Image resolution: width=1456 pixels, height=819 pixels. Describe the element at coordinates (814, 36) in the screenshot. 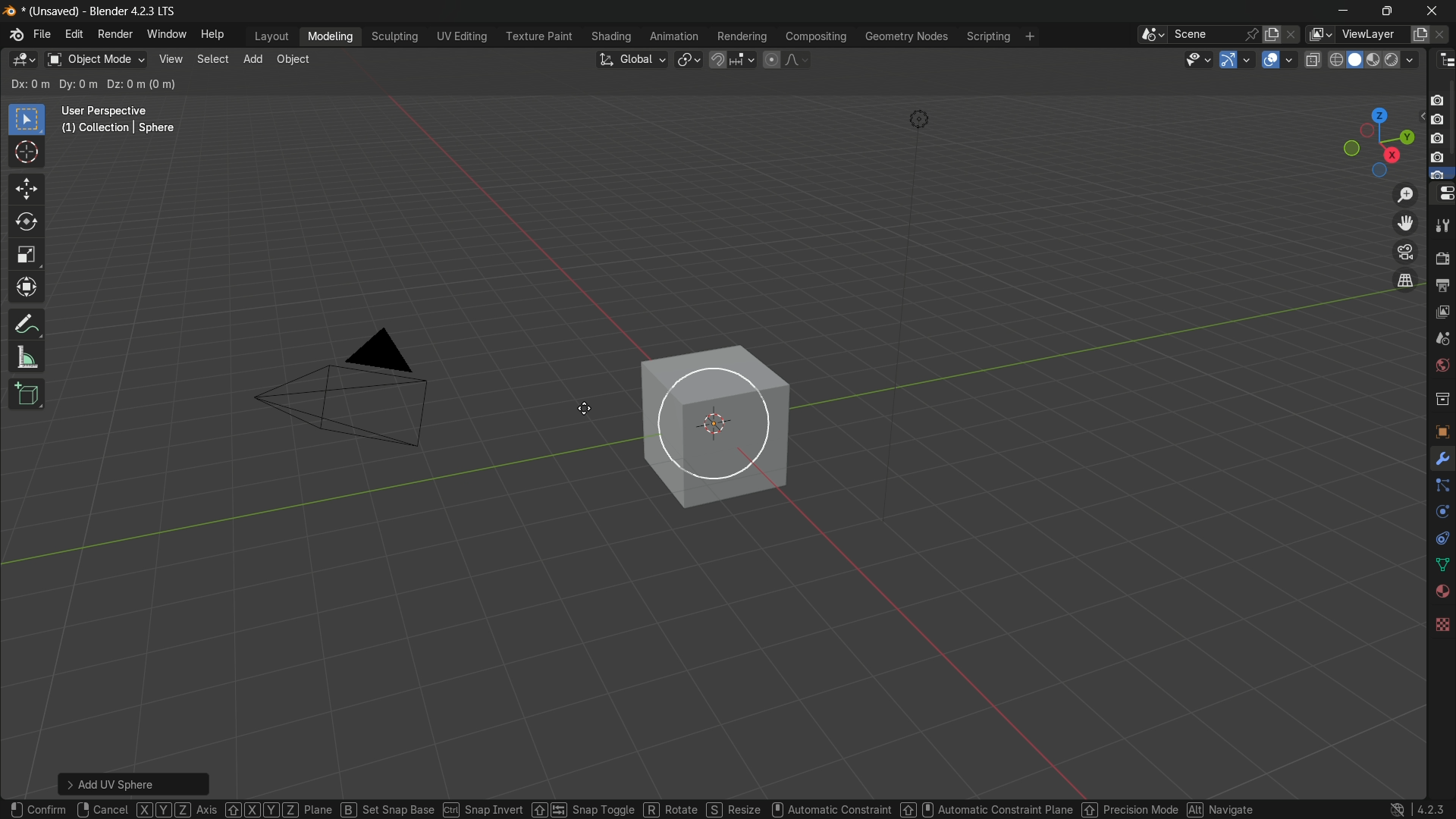

I see `compositing menu` at that location.